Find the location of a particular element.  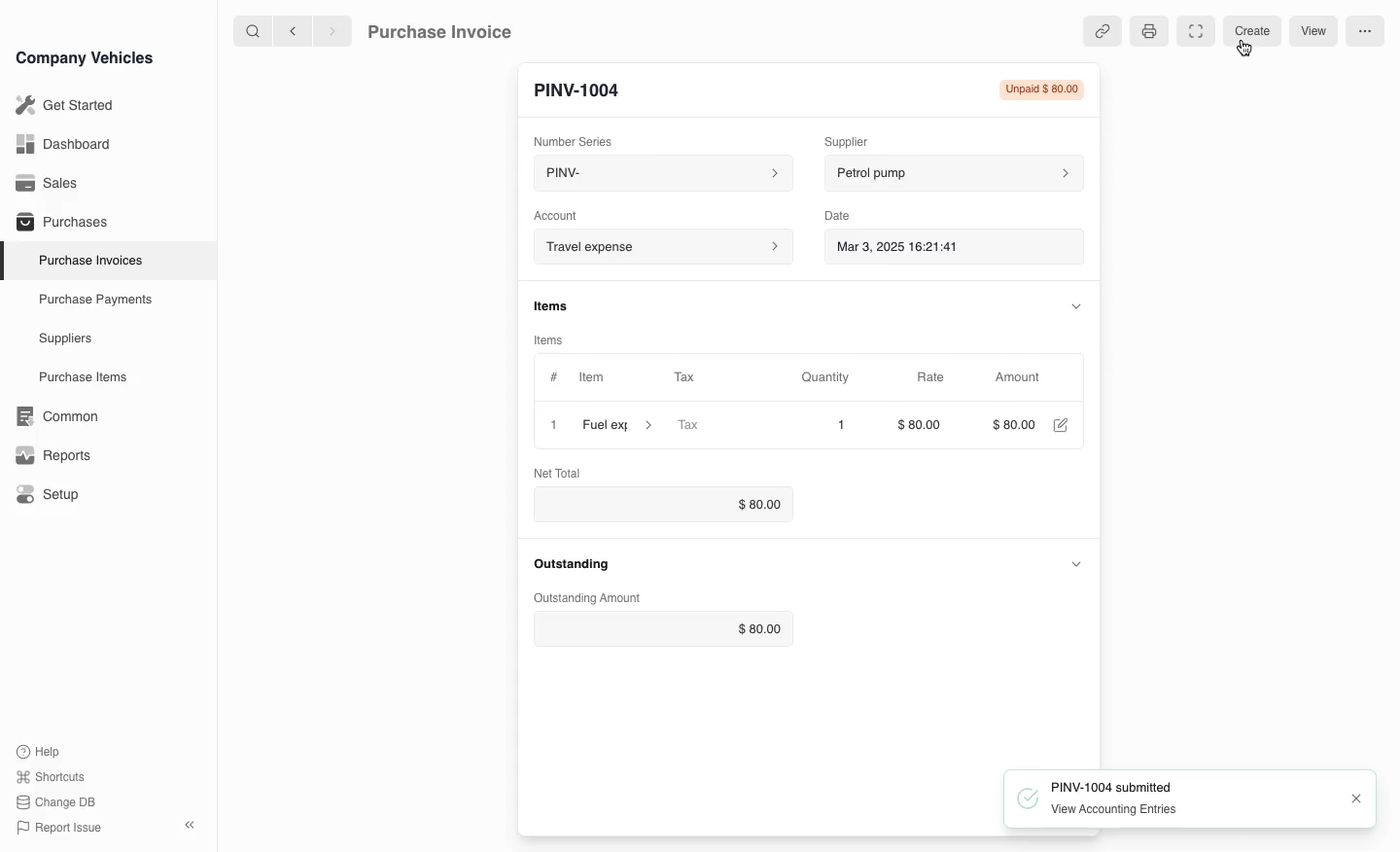

items is located at coordinates (552, 339).